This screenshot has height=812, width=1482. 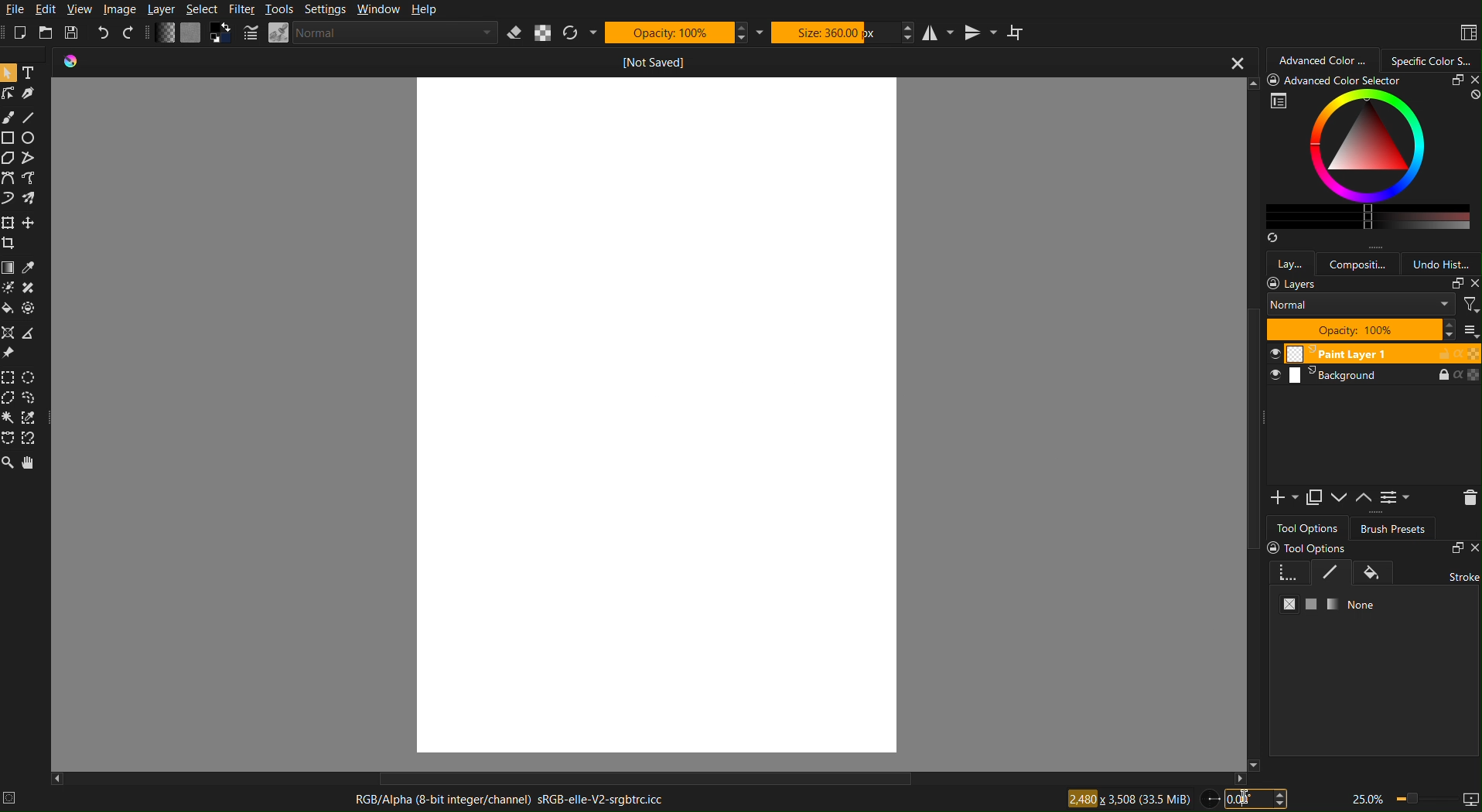 What do you see at coordinates (29, 198) in the screenshot?
I see `Spray Brush Tool (Airbrush)` at bounding box center [29, 198].